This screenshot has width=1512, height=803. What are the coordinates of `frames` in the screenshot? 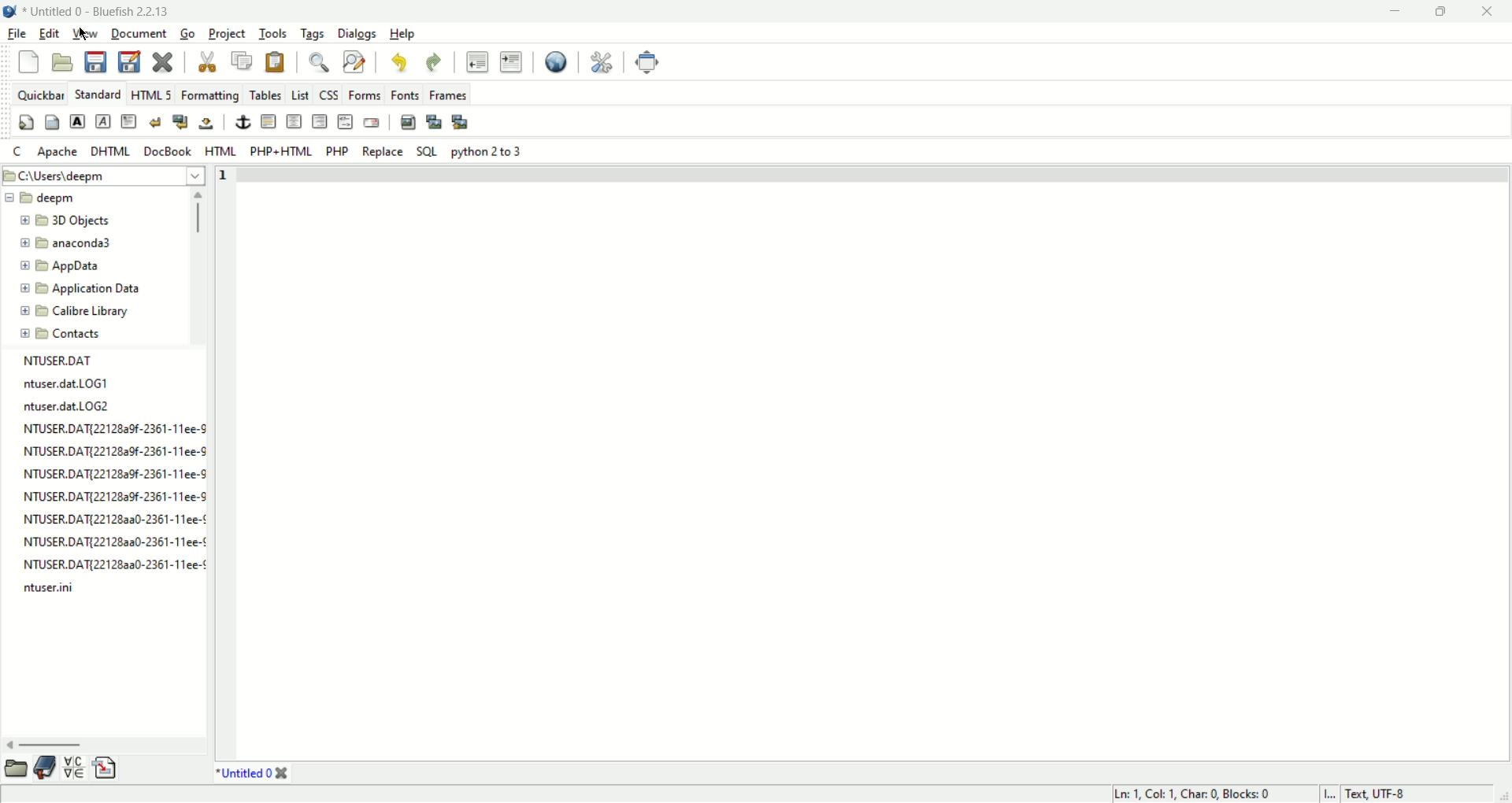 It's located at (447, 94).